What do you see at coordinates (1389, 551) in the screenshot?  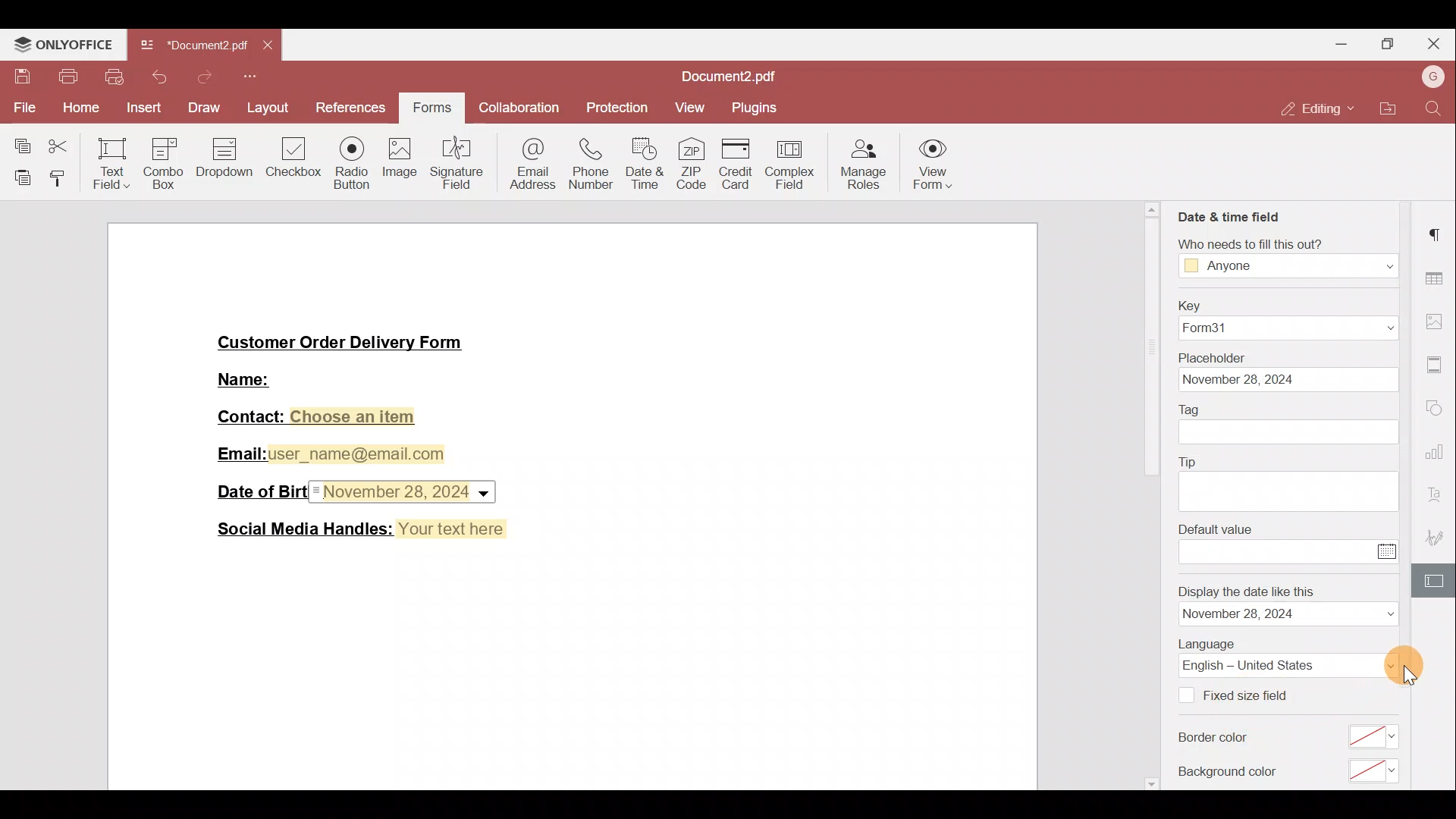 I see `Calendar ` at bounding box center [1389, 551].